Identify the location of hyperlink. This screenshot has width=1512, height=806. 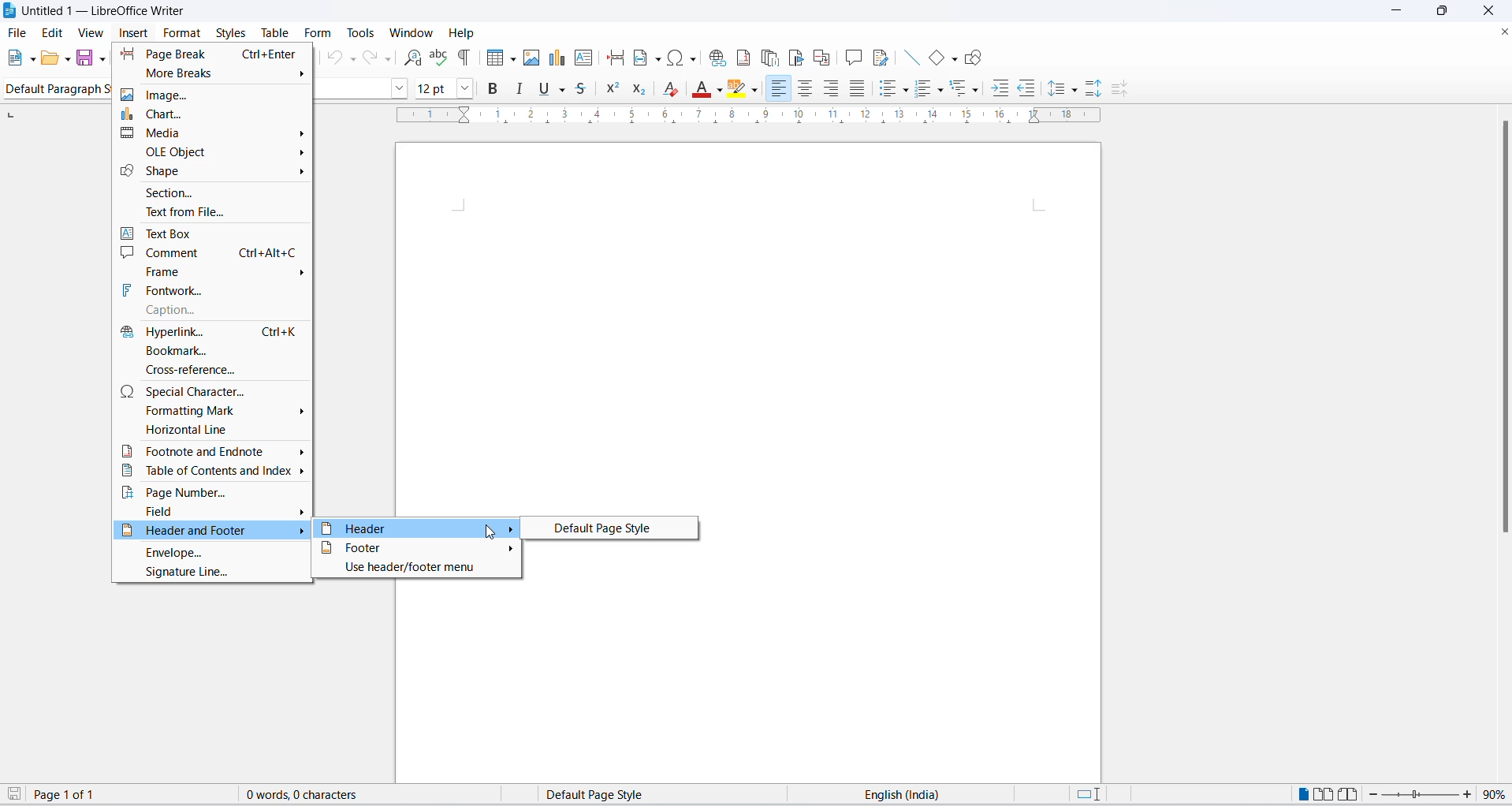
(207, 330).